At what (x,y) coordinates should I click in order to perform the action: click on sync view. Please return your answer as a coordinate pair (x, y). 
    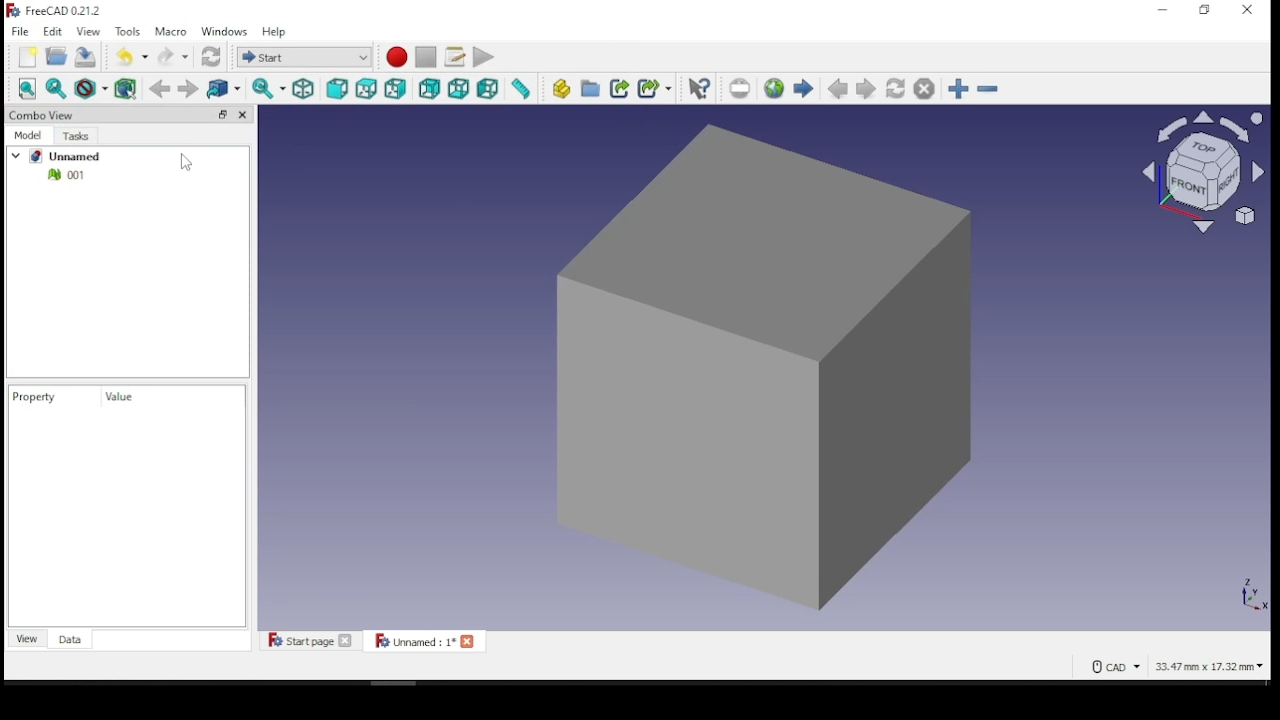
    Looking at the image, I should click on (269, 88).